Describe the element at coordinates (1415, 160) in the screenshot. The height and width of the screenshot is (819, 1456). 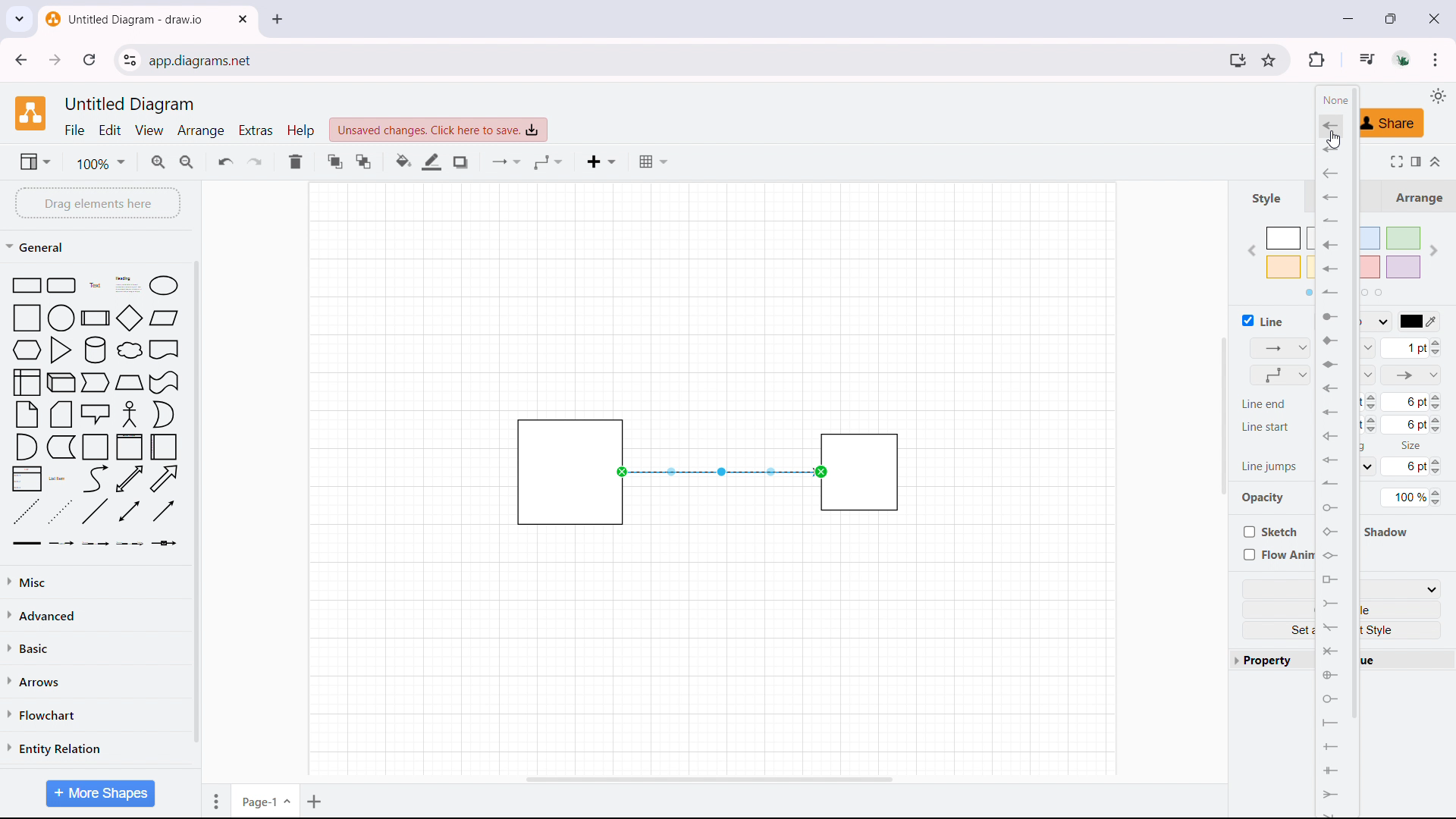
I see `format` at that location.